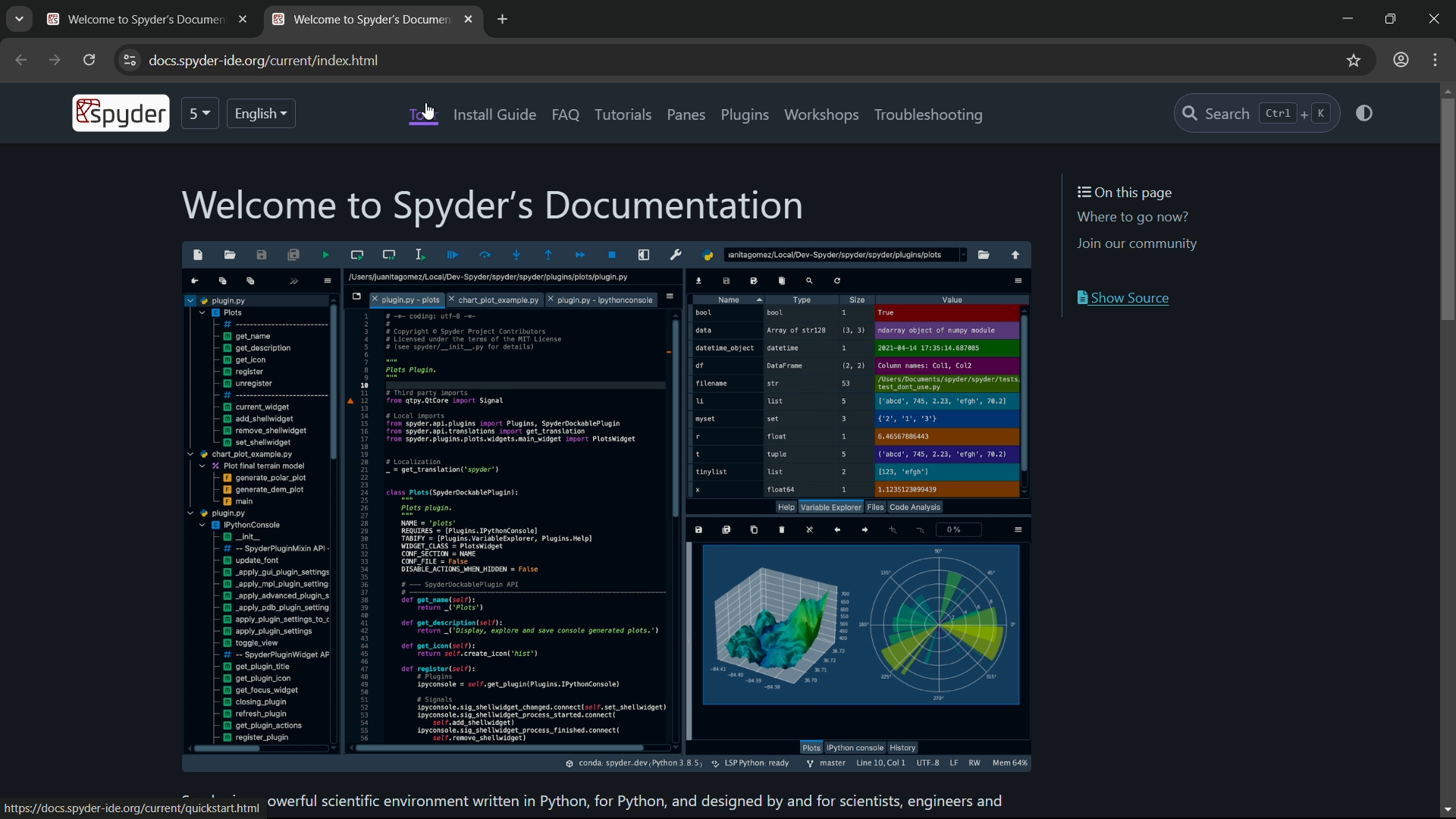 The width and height of the screenshot is (1456, 819). What do you see at coordinates (1126, 297) in the screenshot?
I see `show source` at bounding box center [1126, 297].